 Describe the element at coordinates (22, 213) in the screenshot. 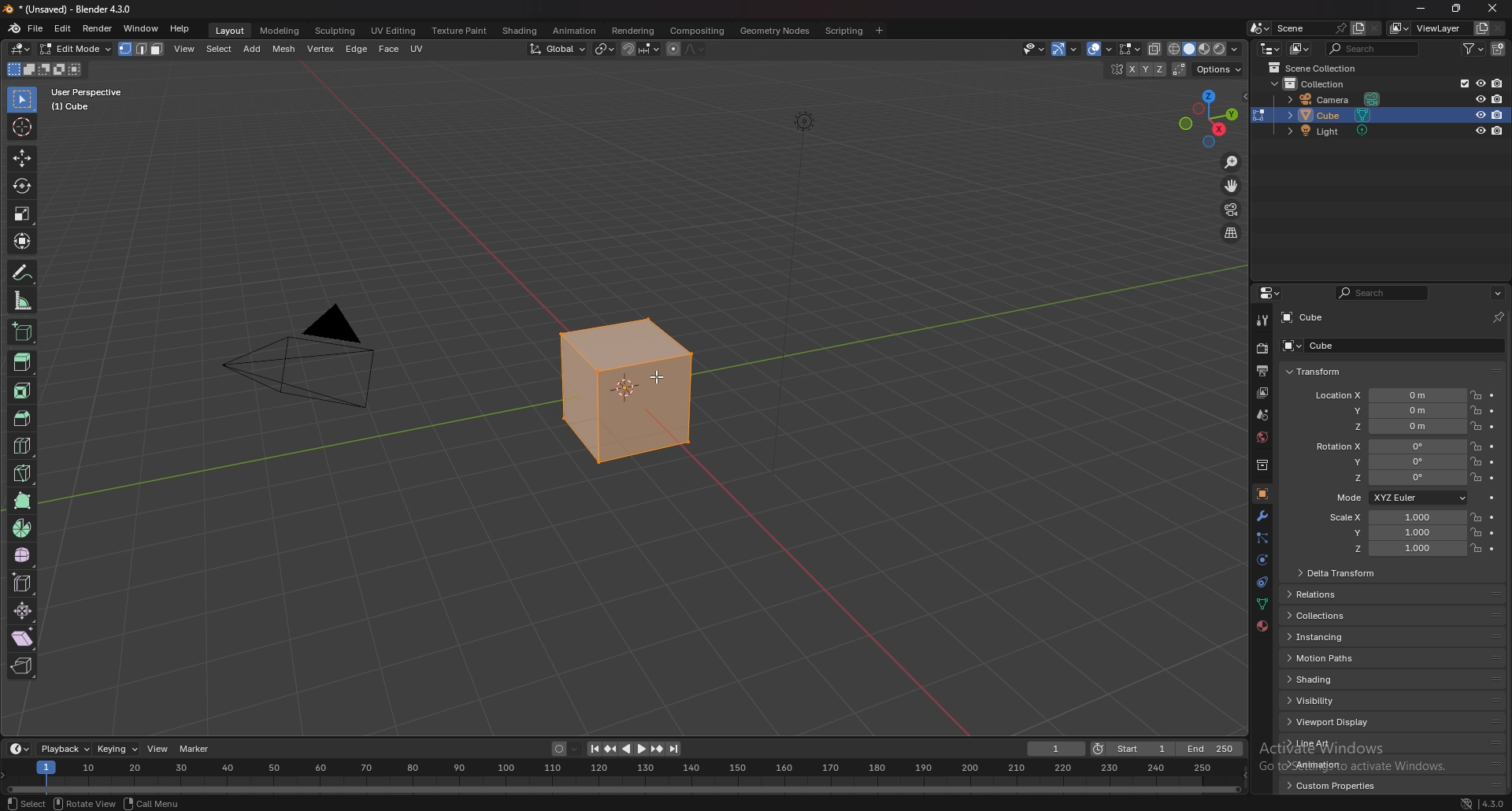

I see `scale` at that location.